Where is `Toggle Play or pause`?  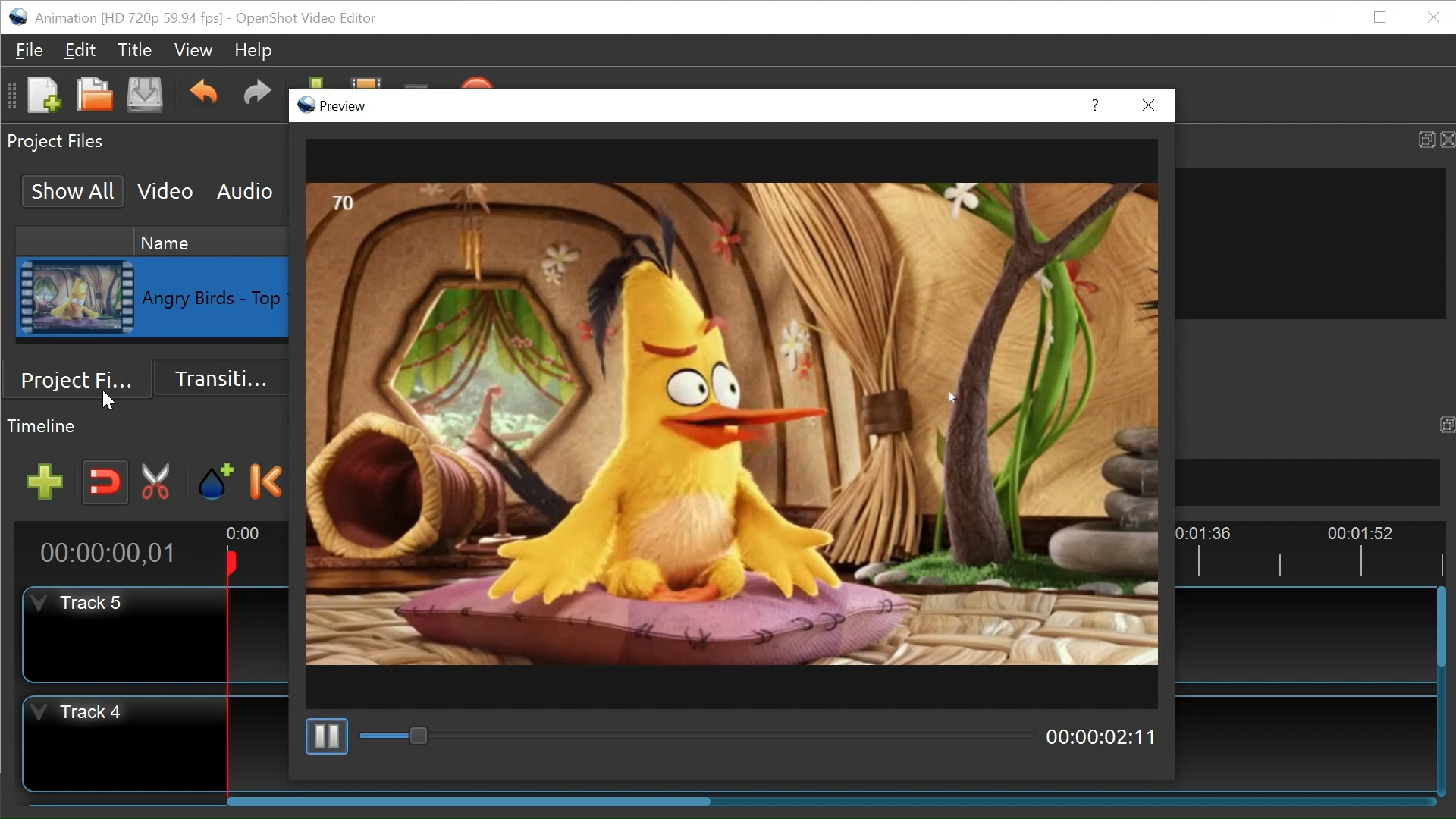 Toggle Play or pause is located at coordinates (326, 736).